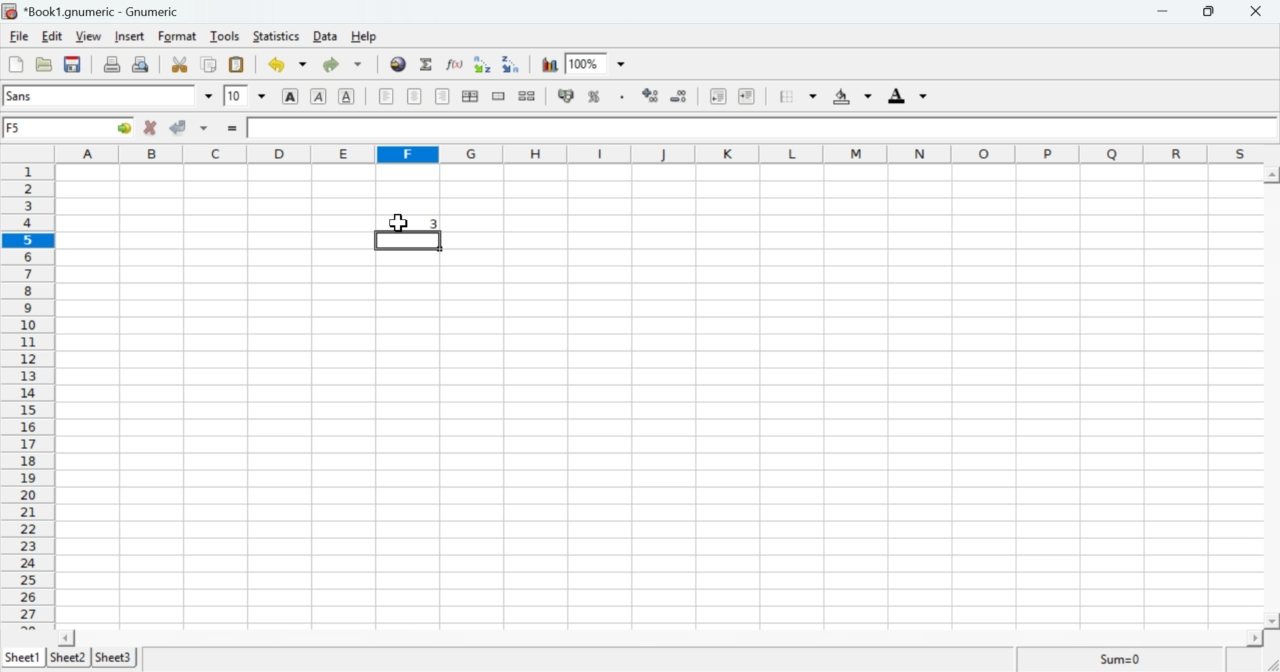  What do you see at coordinates (426, 224) in the screenshot?
I see `Round up number` at bounding box center [426, 224].